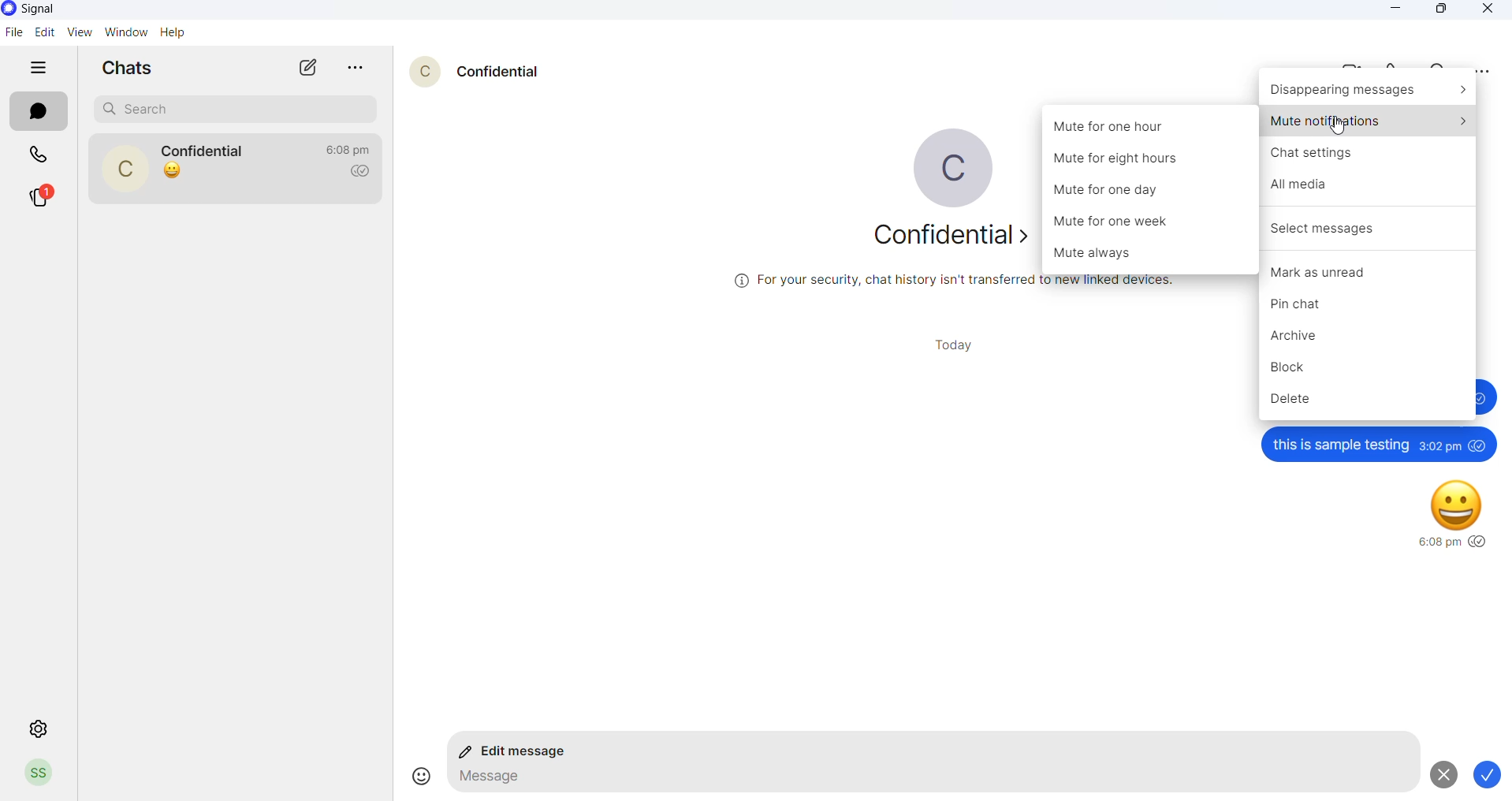 The image size is (1512, 801). Describe the element at coordinates (132, 71) in the screenshot. I see `chats heading` at that location.